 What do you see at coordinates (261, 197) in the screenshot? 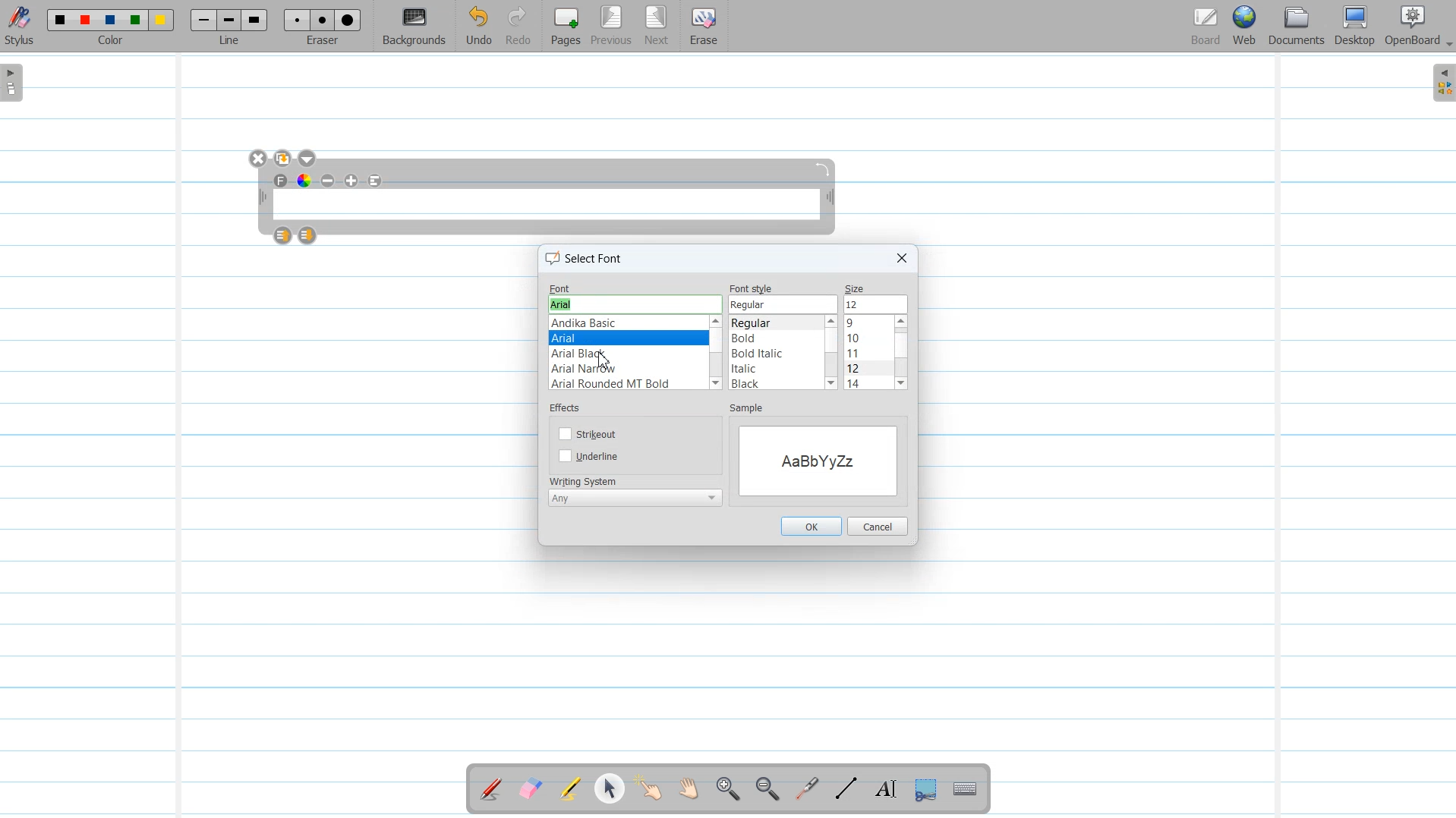
I see `Adjust width of text tool ` at bounding box center [261, 197].